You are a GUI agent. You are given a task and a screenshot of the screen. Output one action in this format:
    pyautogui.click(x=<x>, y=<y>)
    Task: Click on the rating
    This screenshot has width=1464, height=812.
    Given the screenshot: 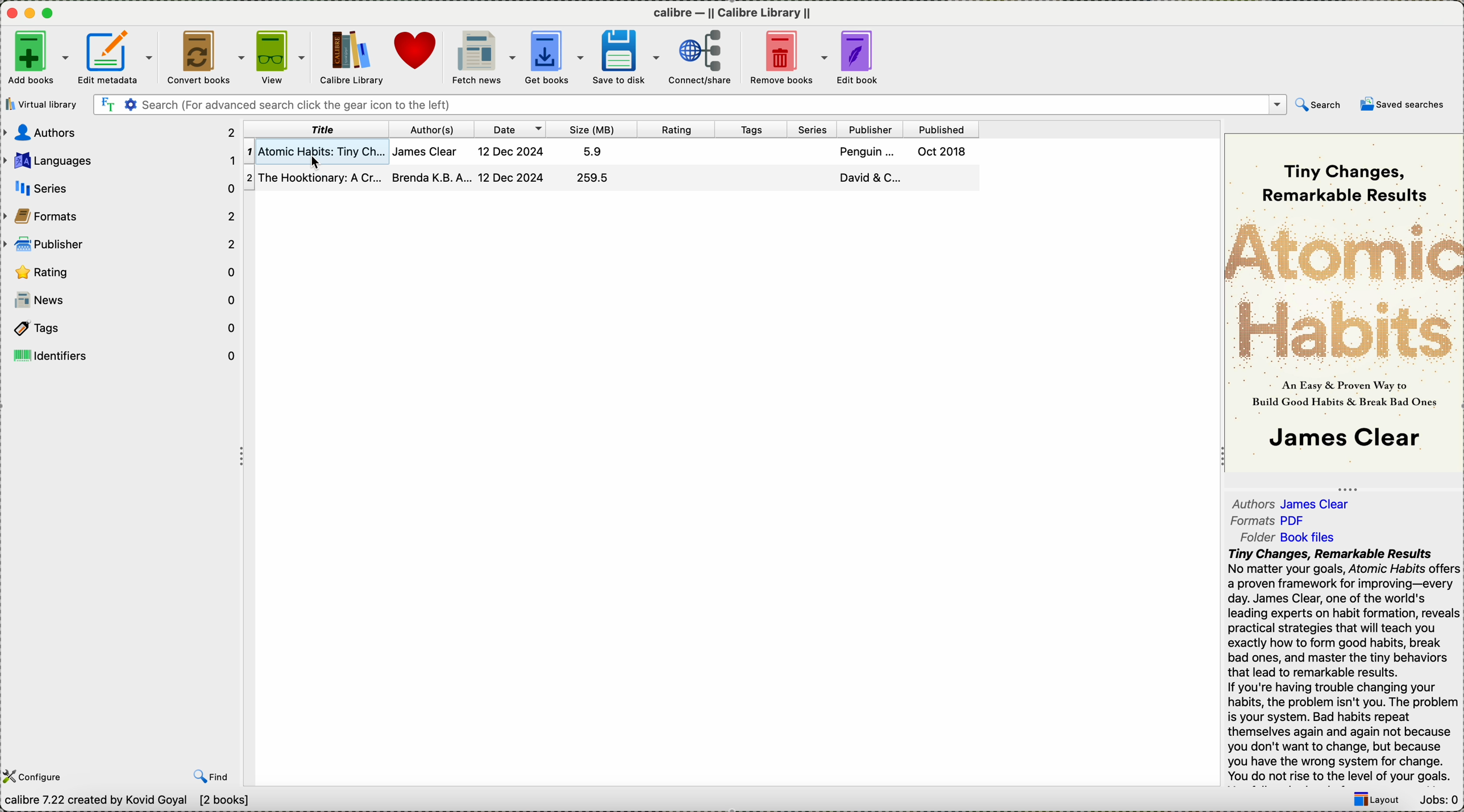 What is the action you would take?
    pyautogui.click(x=118, y=270)
    